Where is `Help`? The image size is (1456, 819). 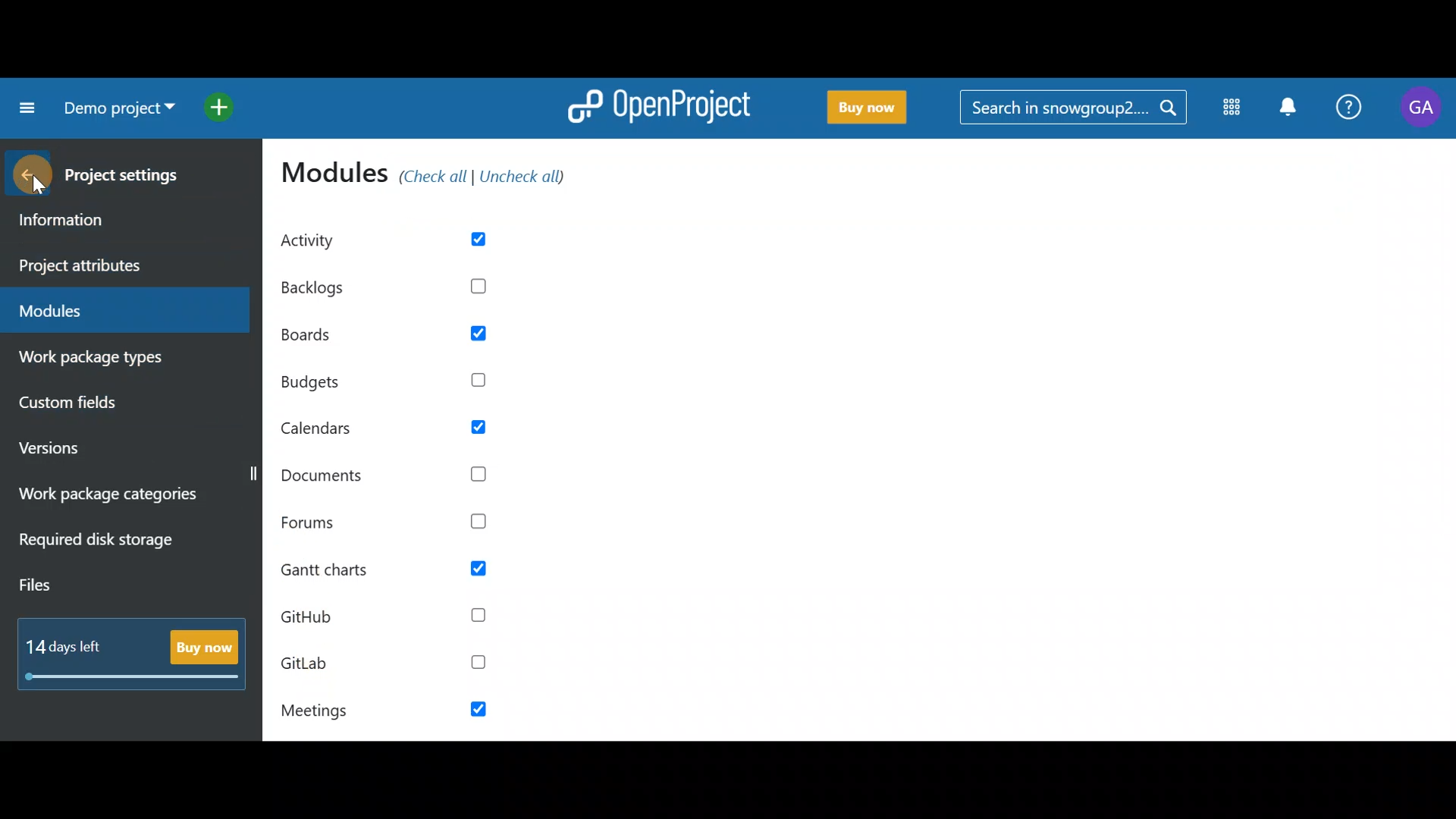
Help is located at coordinates (1347, 111).